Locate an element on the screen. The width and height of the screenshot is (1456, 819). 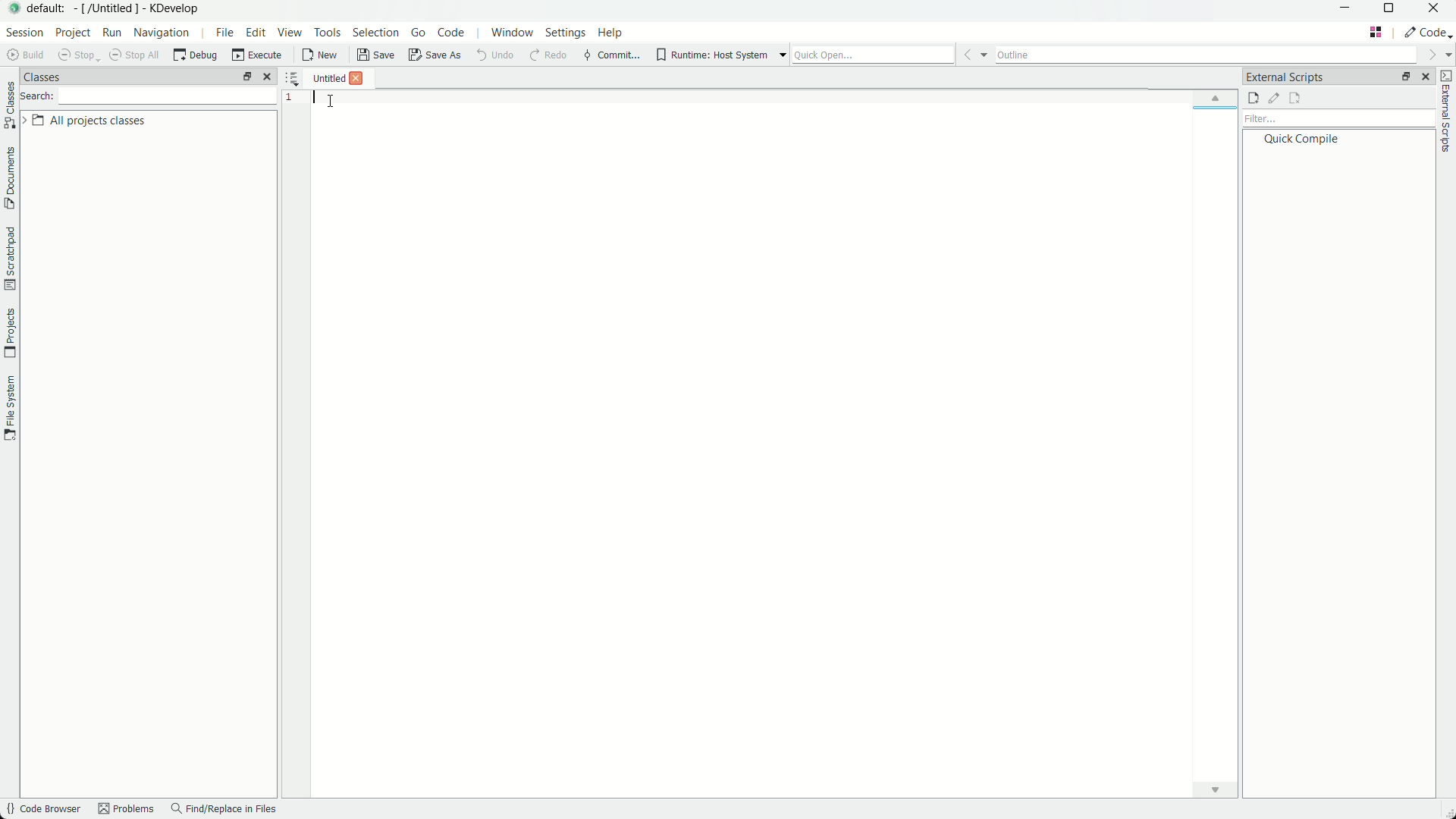
Close is located at coordinates (358, 80).